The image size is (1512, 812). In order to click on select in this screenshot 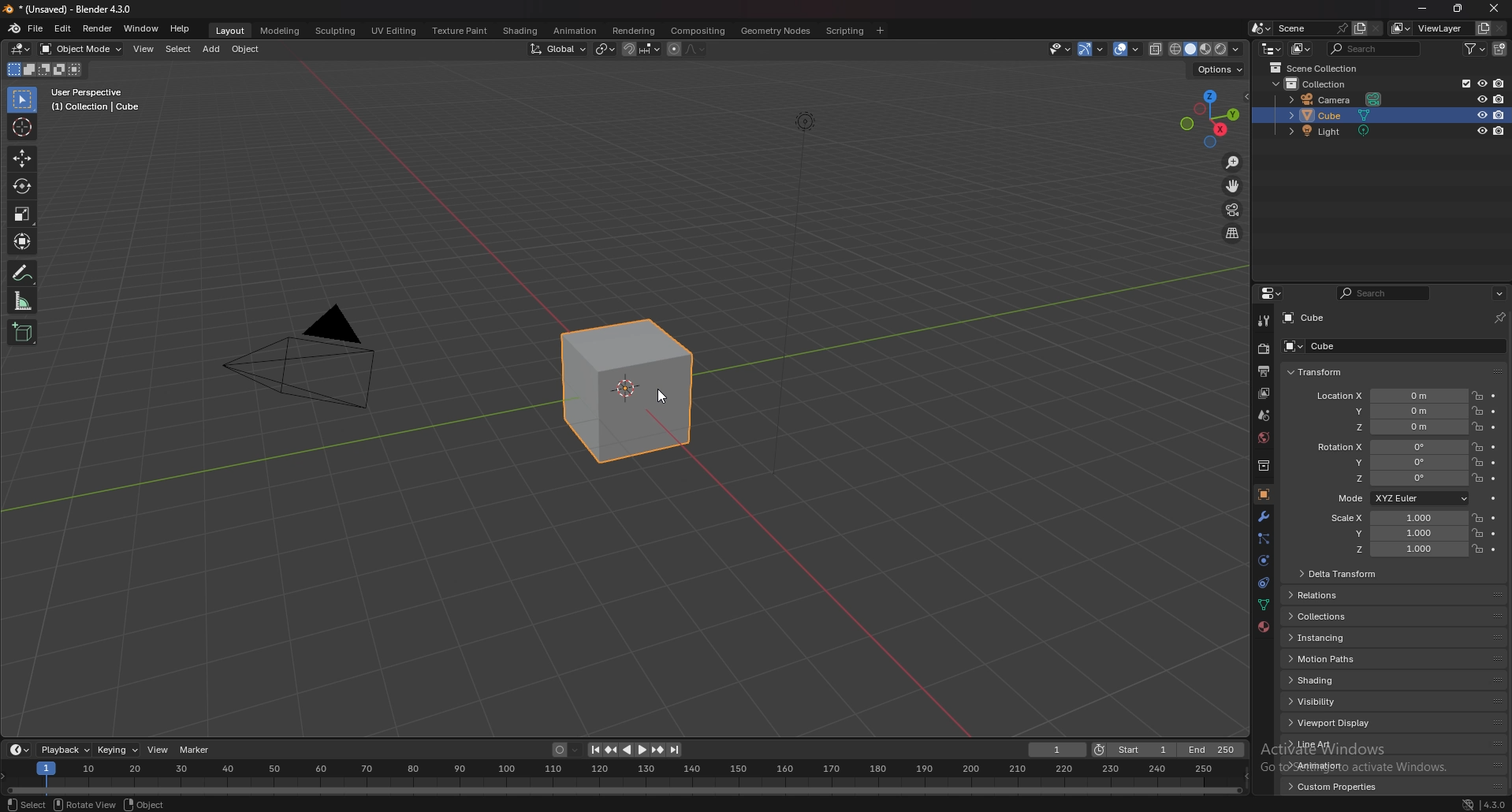, I will do `click(25, 100)`.